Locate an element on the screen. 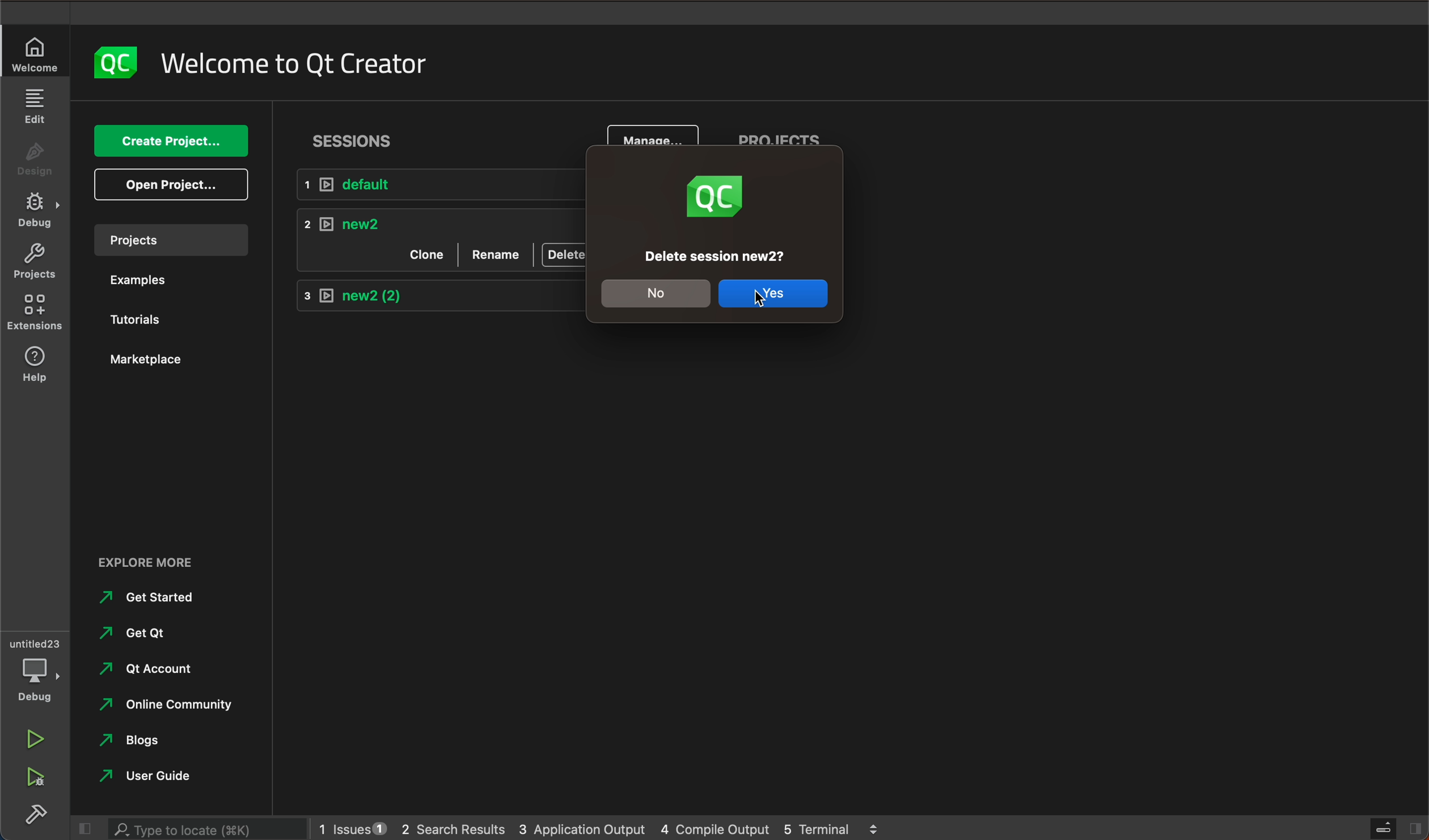 The width and height of the screenshot is (1429, 840). extensions is located at coordinates (35, 313).